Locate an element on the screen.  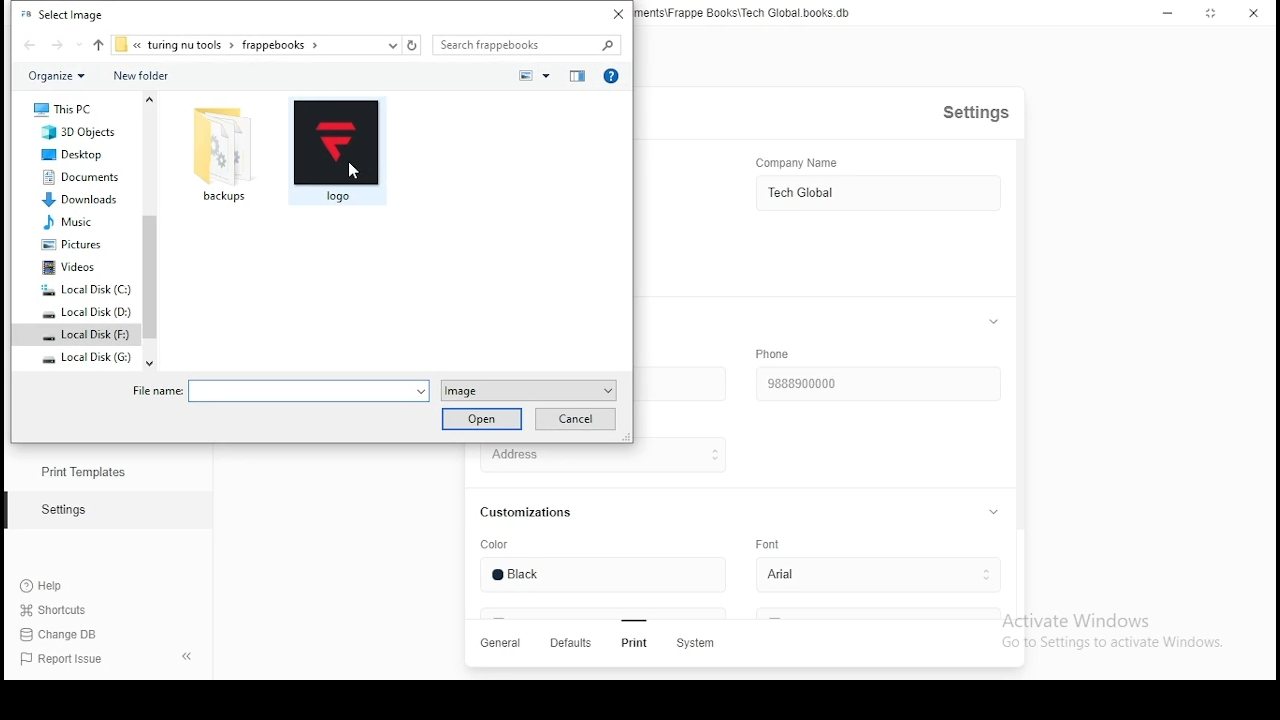
shortcuts  is located at coordinates (56, 613).